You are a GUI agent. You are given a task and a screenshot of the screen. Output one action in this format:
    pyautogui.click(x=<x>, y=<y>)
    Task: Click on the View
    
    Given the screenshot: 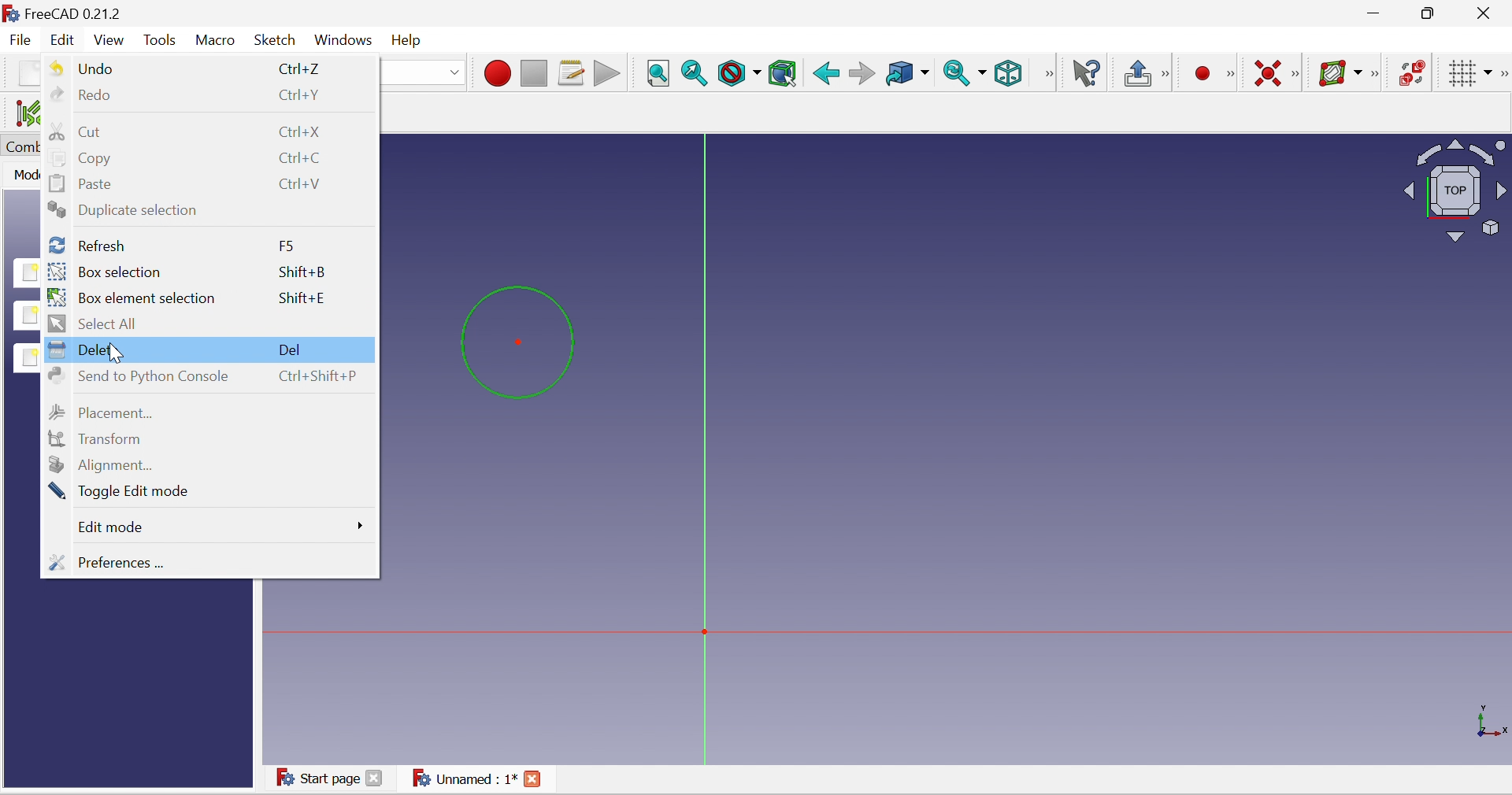 What is the action you would take?
    pyautogui.click(x=1047, y=73)
    